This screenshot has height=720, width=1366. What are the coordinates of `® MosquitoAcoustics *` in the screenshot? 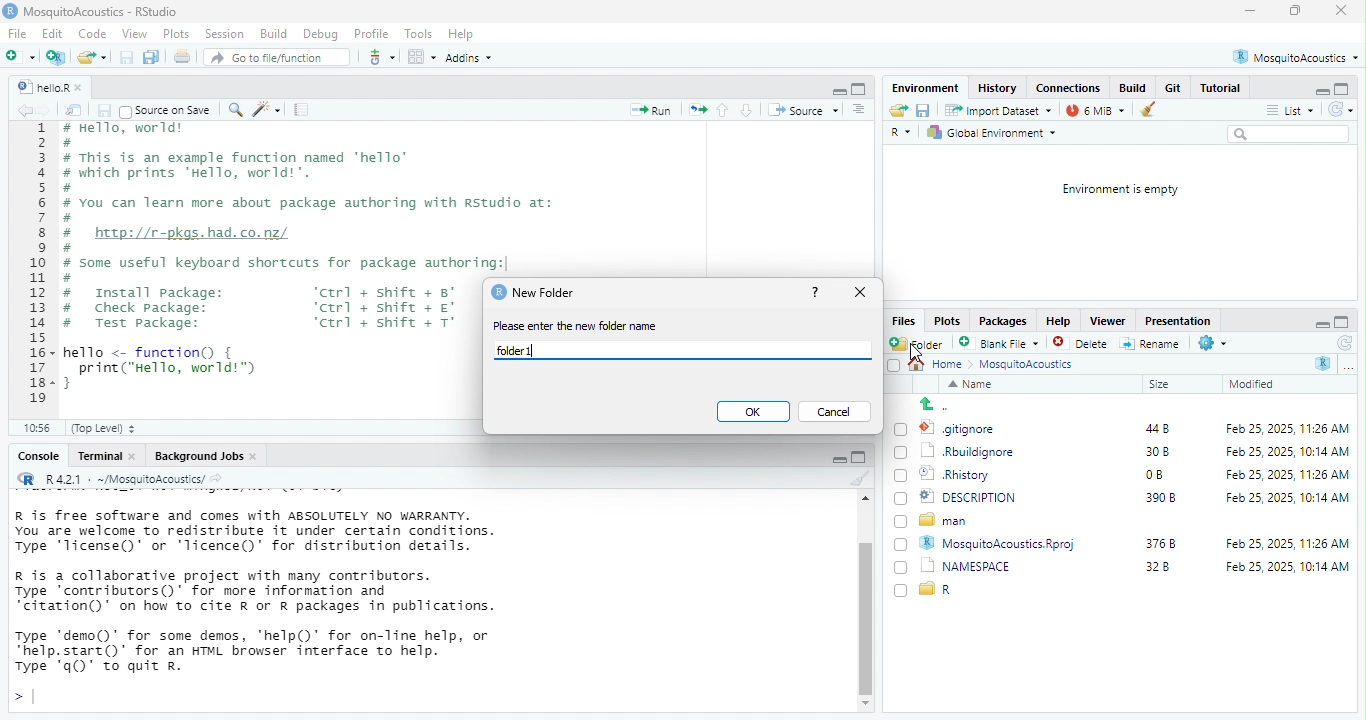 It's located at (1298, 56).